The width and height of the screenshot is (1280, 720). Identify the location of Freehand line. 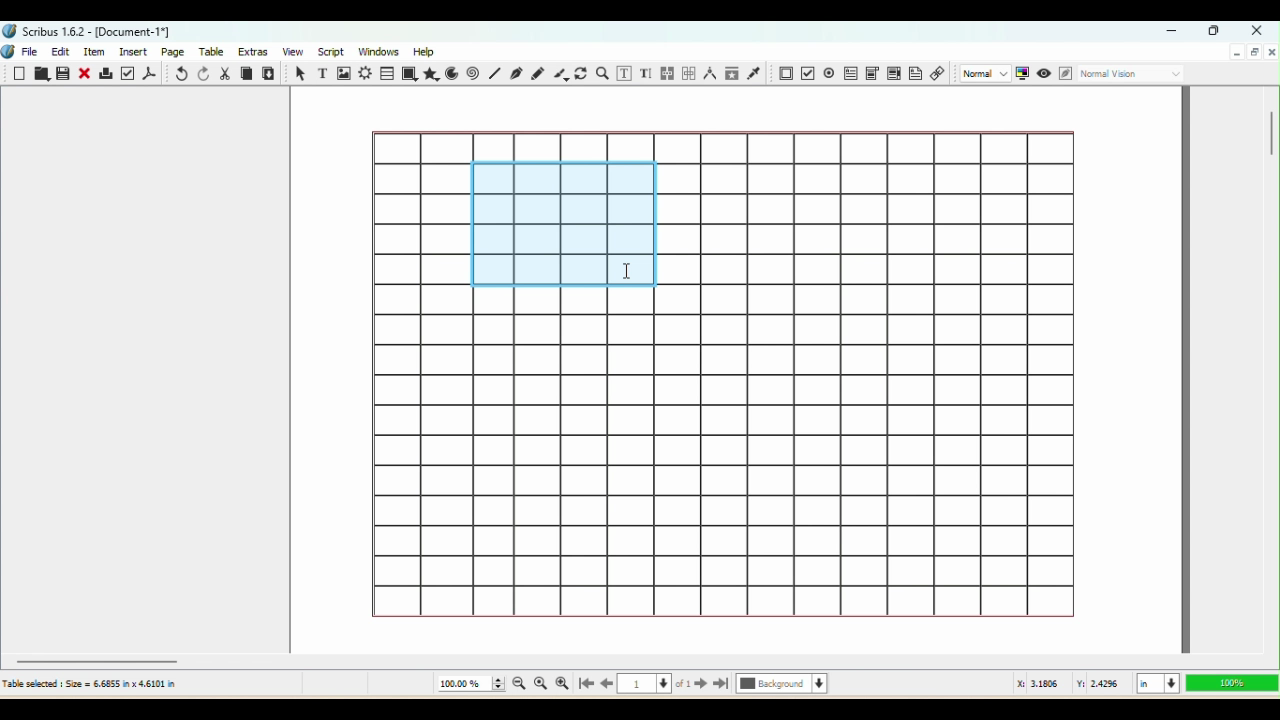
(537, 72).